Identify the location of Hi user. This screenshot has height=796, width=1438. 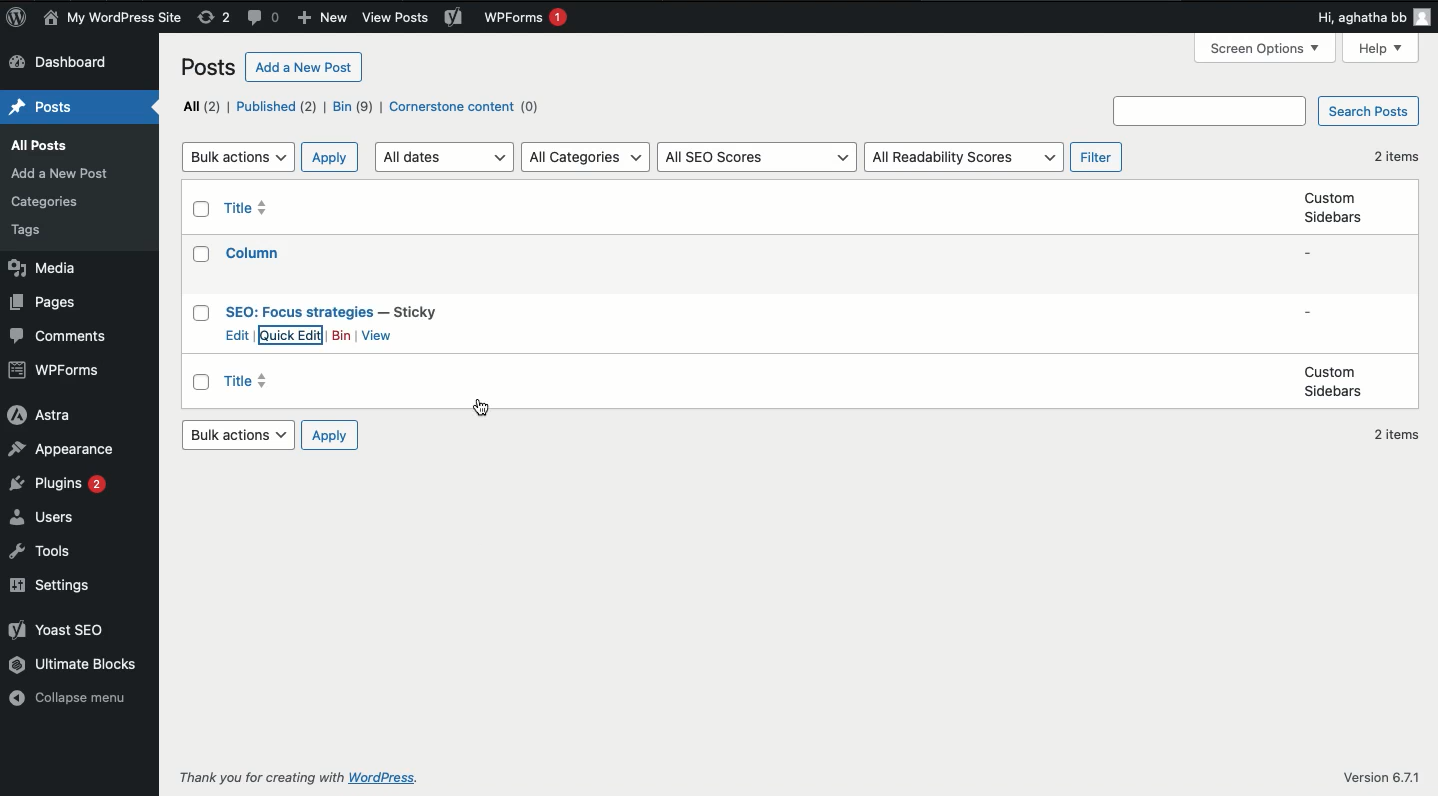
(1370, 17).